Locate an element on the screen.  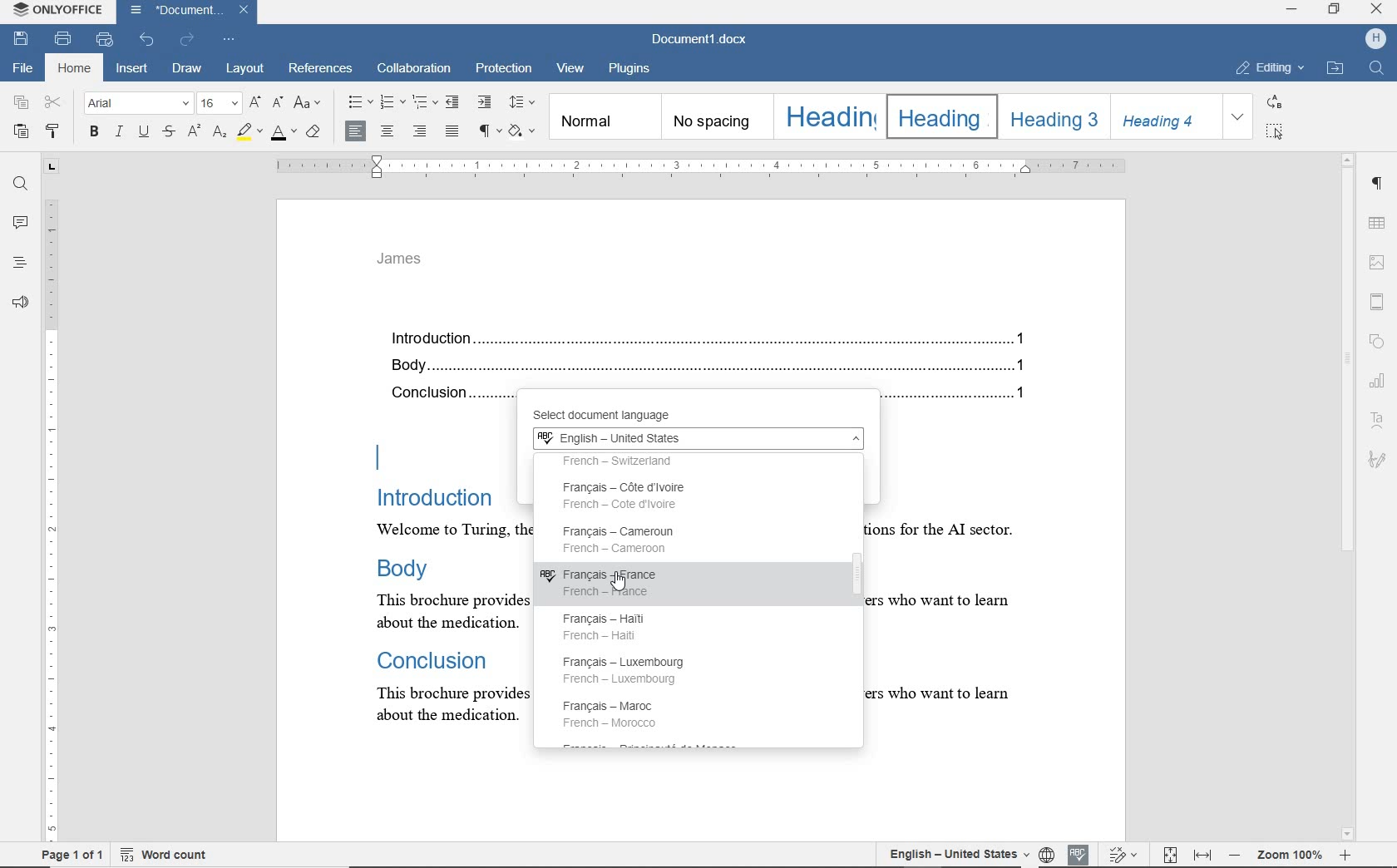
file is located at coordinates (21, 69).